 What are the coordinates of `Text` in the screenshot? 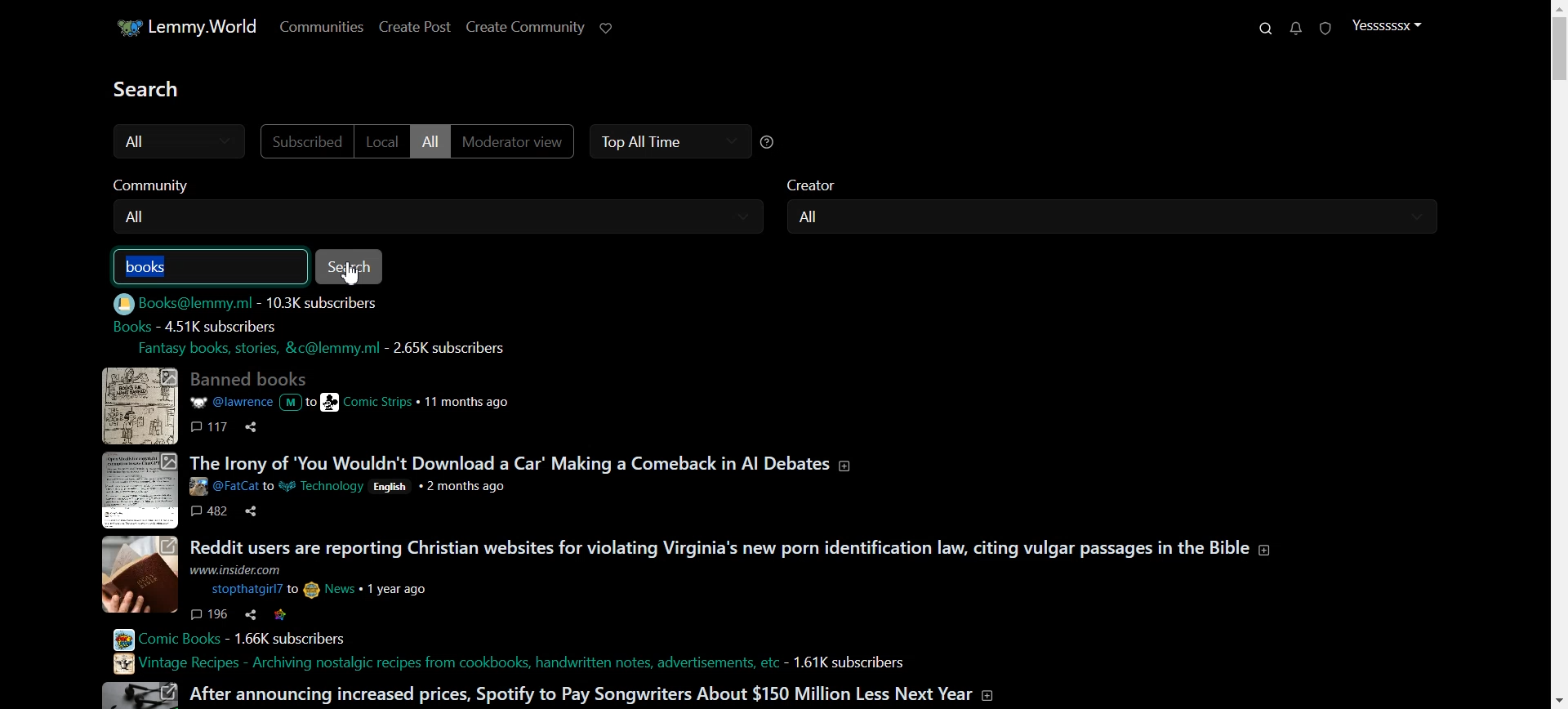 It's located at (152, 268).